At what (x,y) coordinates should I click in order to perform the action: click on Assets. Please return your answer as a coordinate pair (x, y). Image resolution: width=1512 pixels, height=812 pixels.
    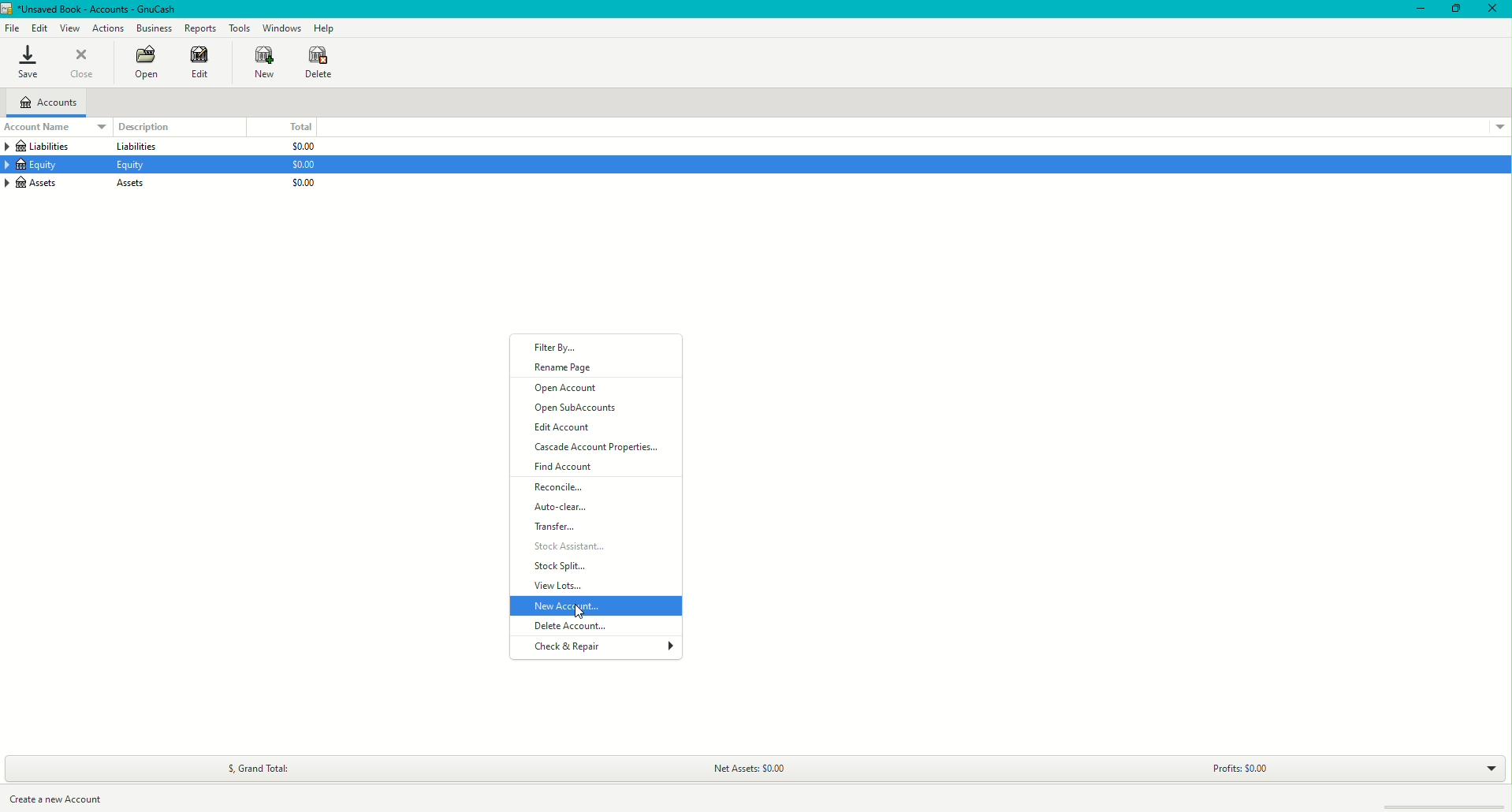
    Looking at the image, I should click on (132, 184).